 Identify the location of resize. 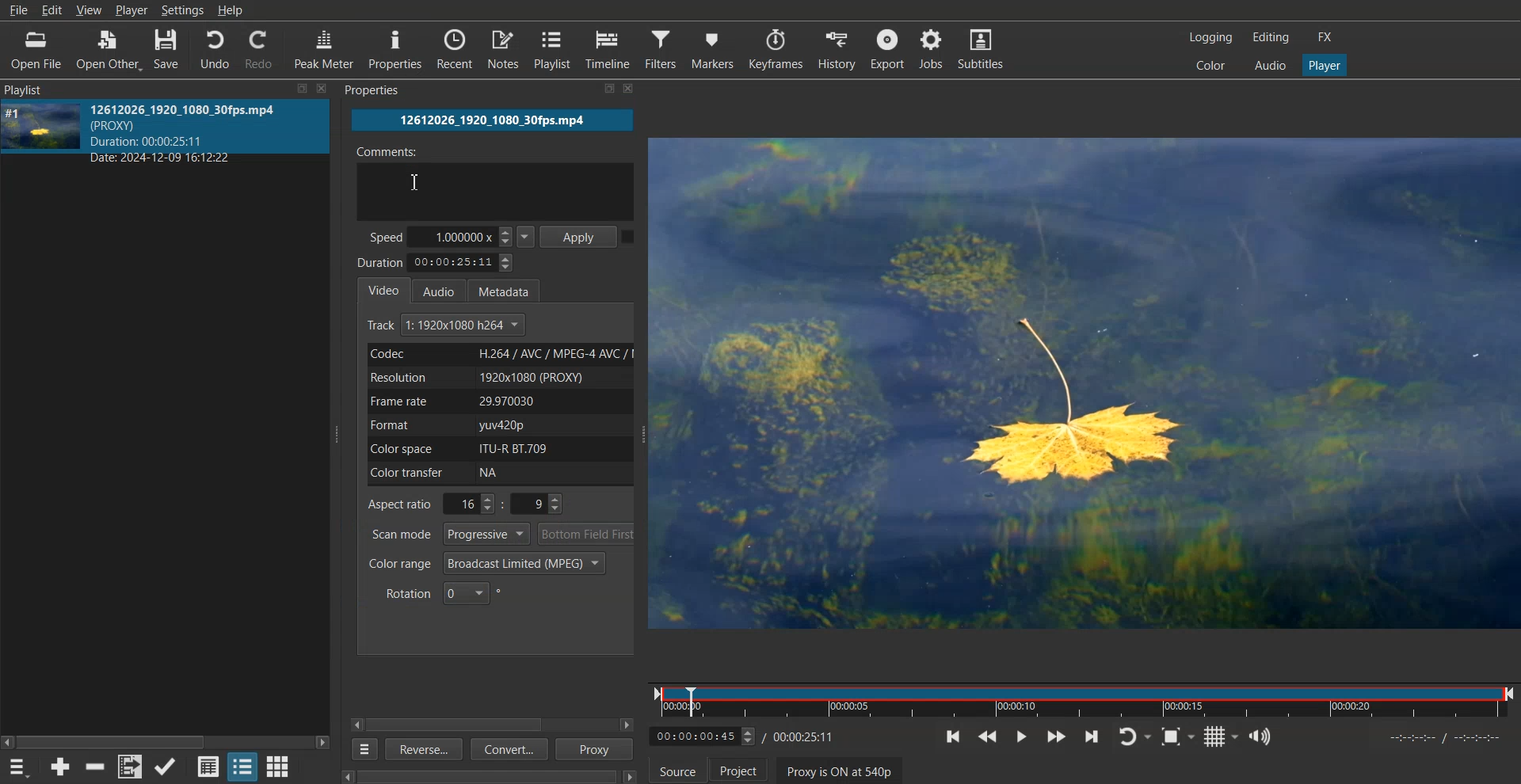
(299, 89).